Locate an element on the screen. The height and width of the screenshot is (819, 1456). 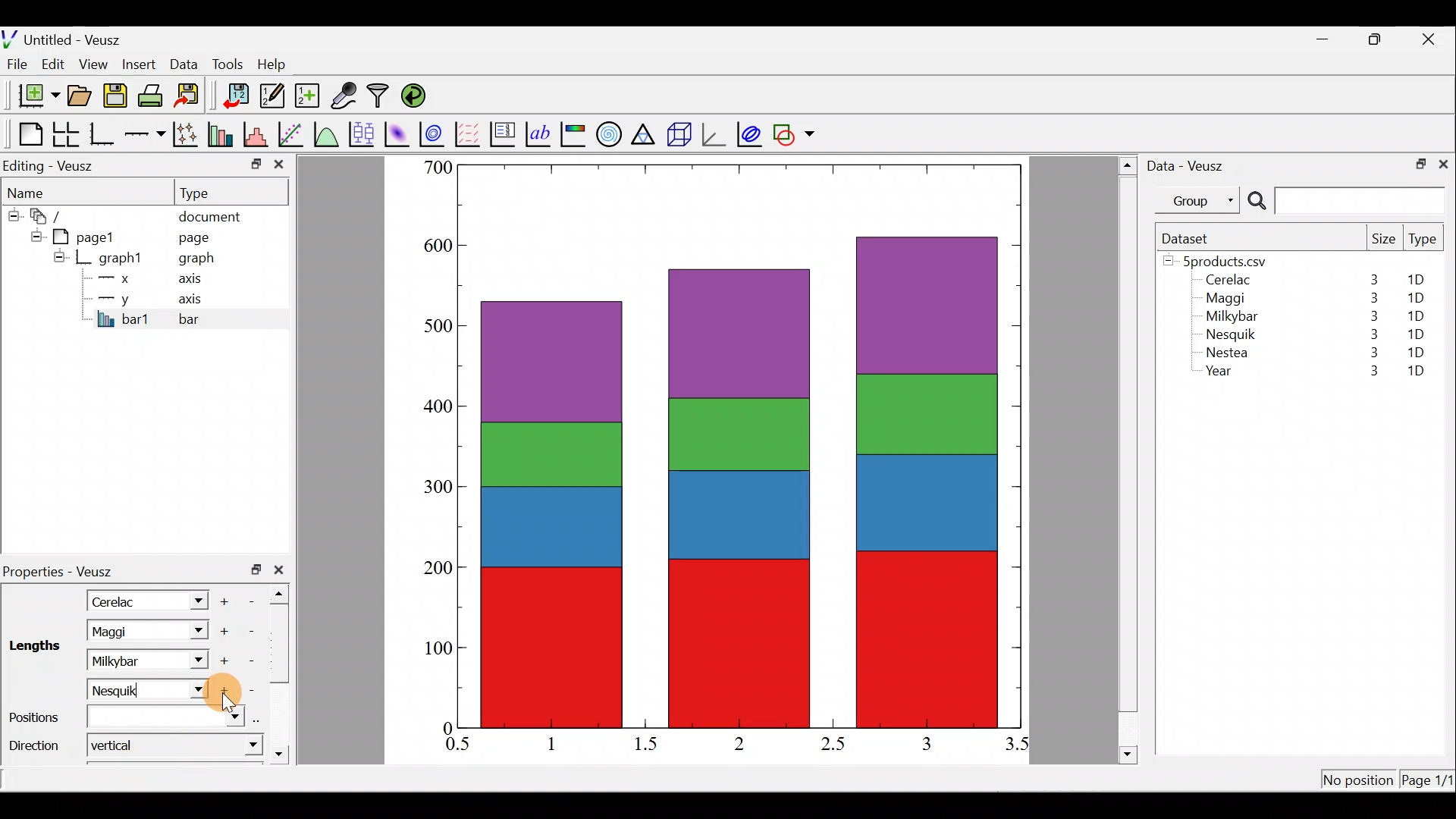
600 is located at coordinates (435, 242).